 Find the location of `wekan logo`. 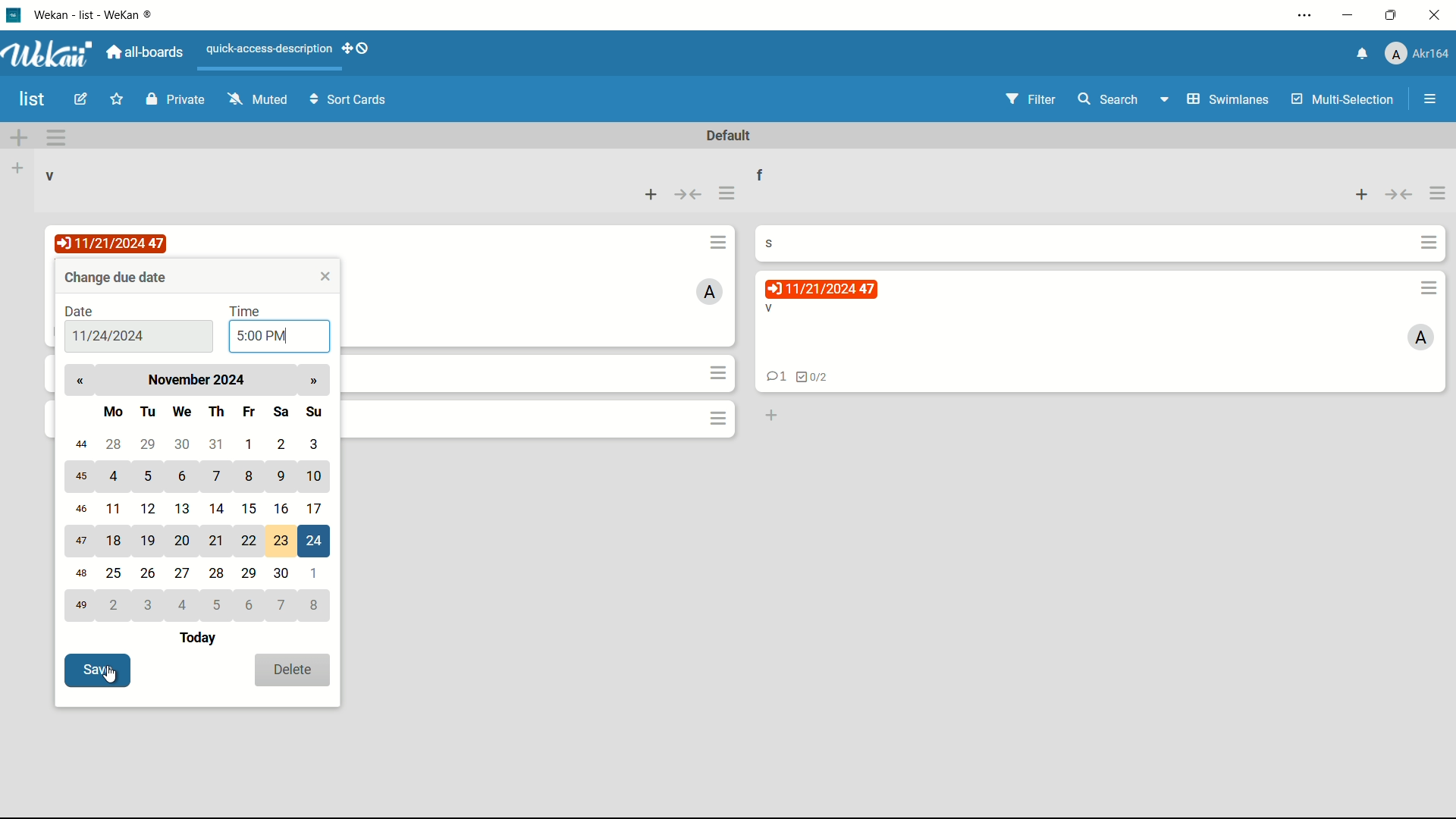

wekan logo is located at coordinates (52, 54).